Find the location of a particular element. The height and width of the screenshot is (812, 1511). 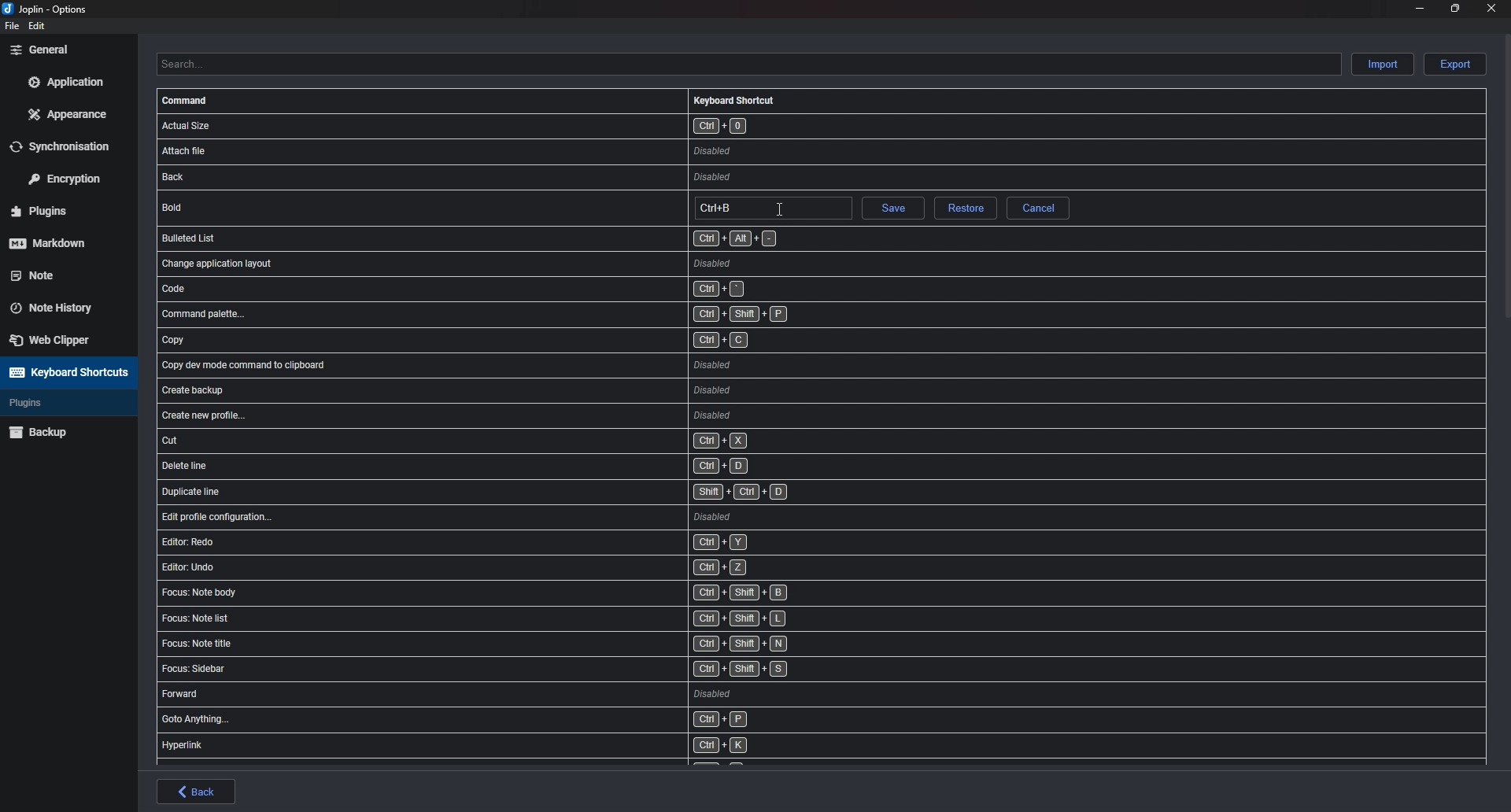

Plugins is located at coordinates (61, 212).